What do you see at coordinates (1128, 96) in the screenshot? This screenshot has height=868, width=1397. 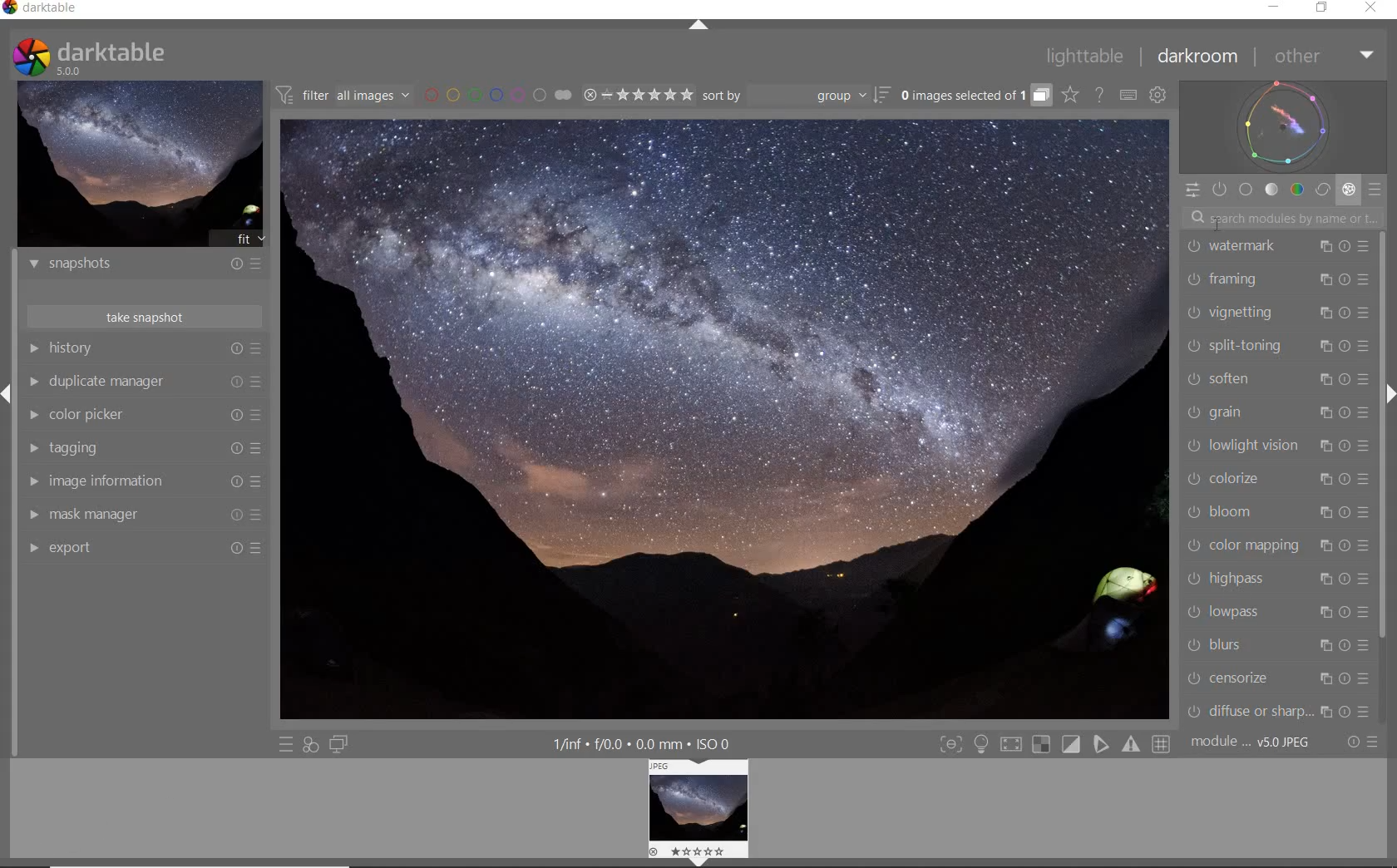 I see `SET KEYBOARD SHORTCUTS` at bounding box center [1128, 96].